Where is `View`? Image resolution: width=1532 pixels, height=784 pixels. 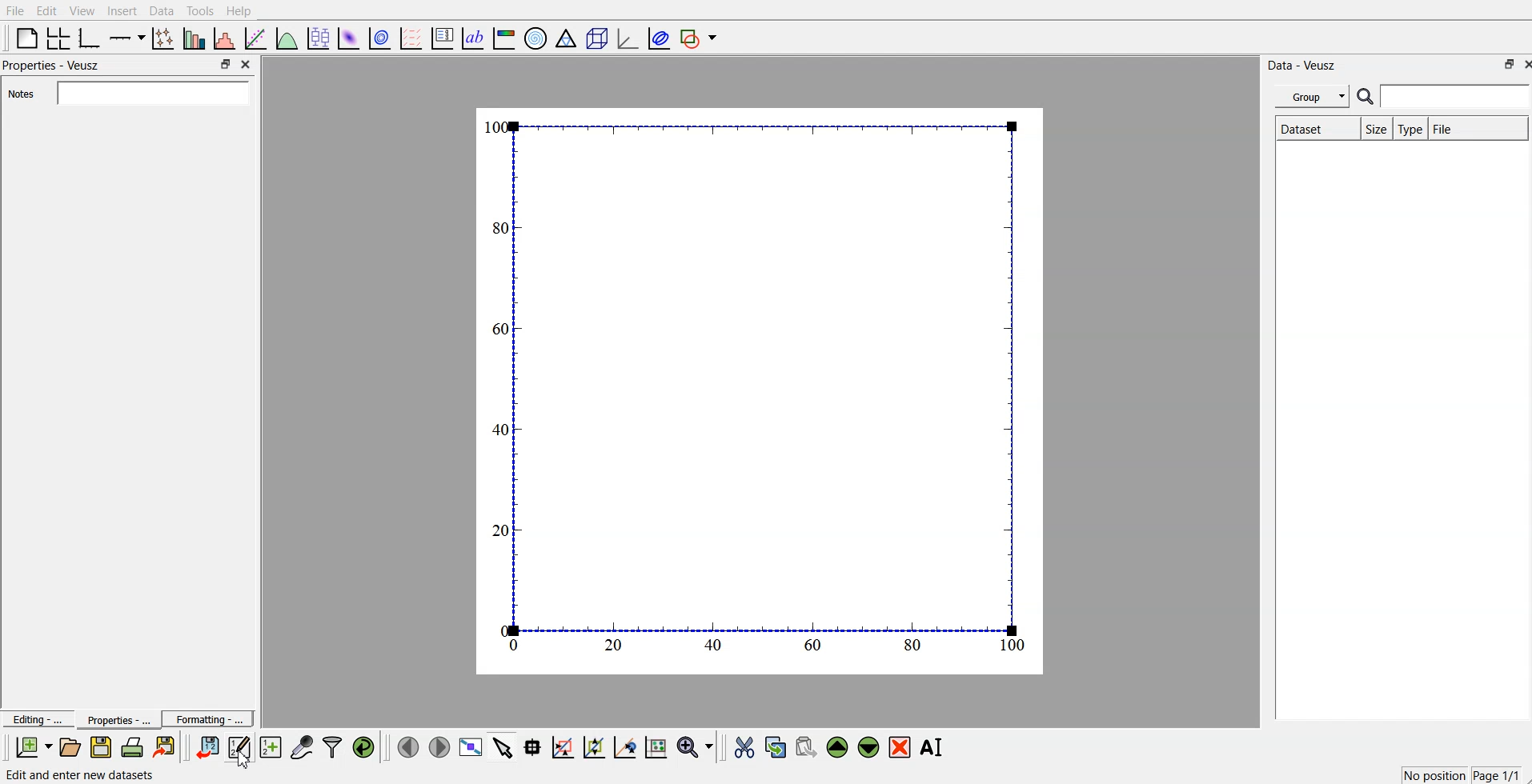 View is located at coordinates (82, 10).